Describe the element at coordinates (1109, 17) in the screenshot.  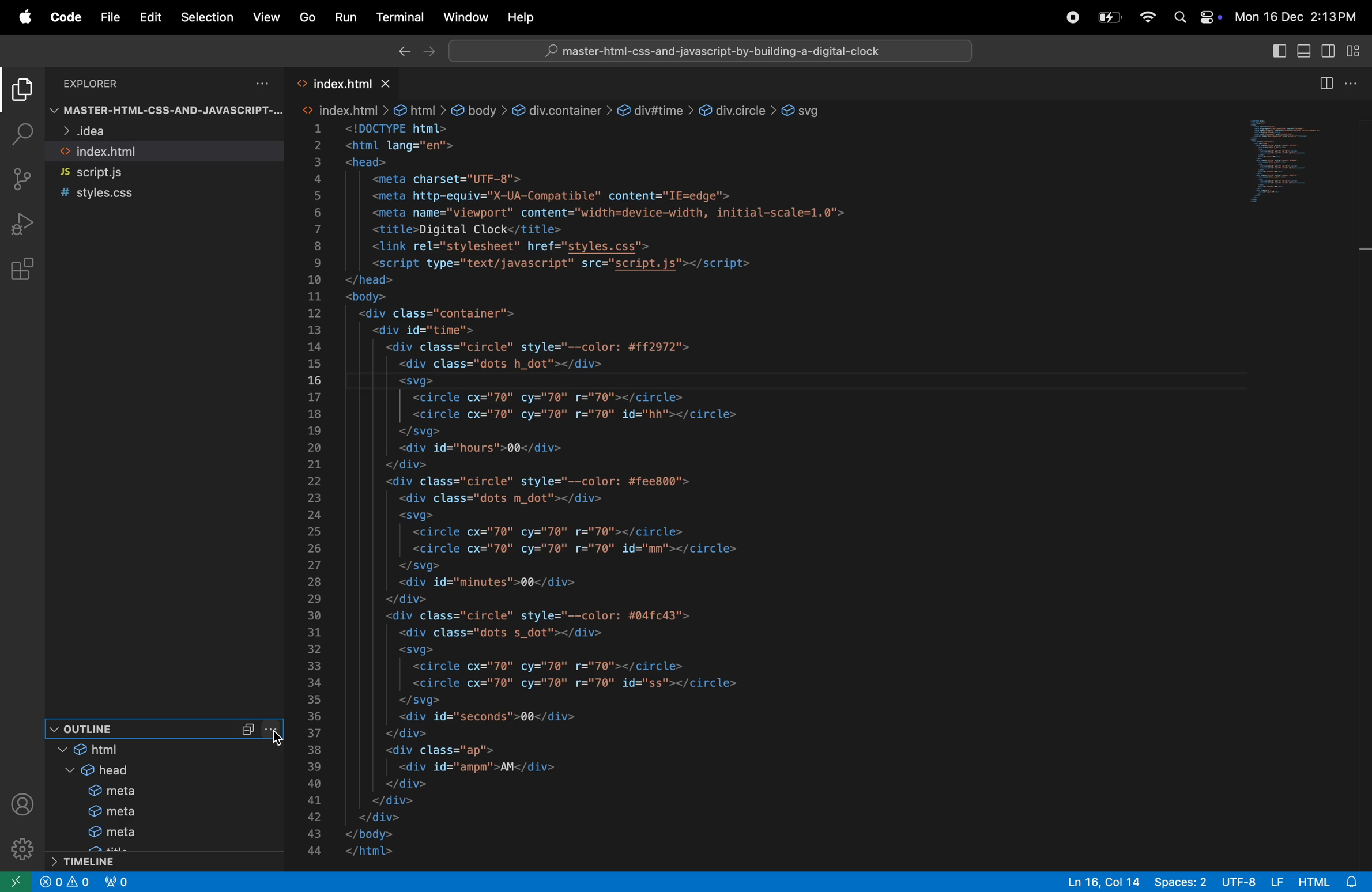
I see `battery` at that location.